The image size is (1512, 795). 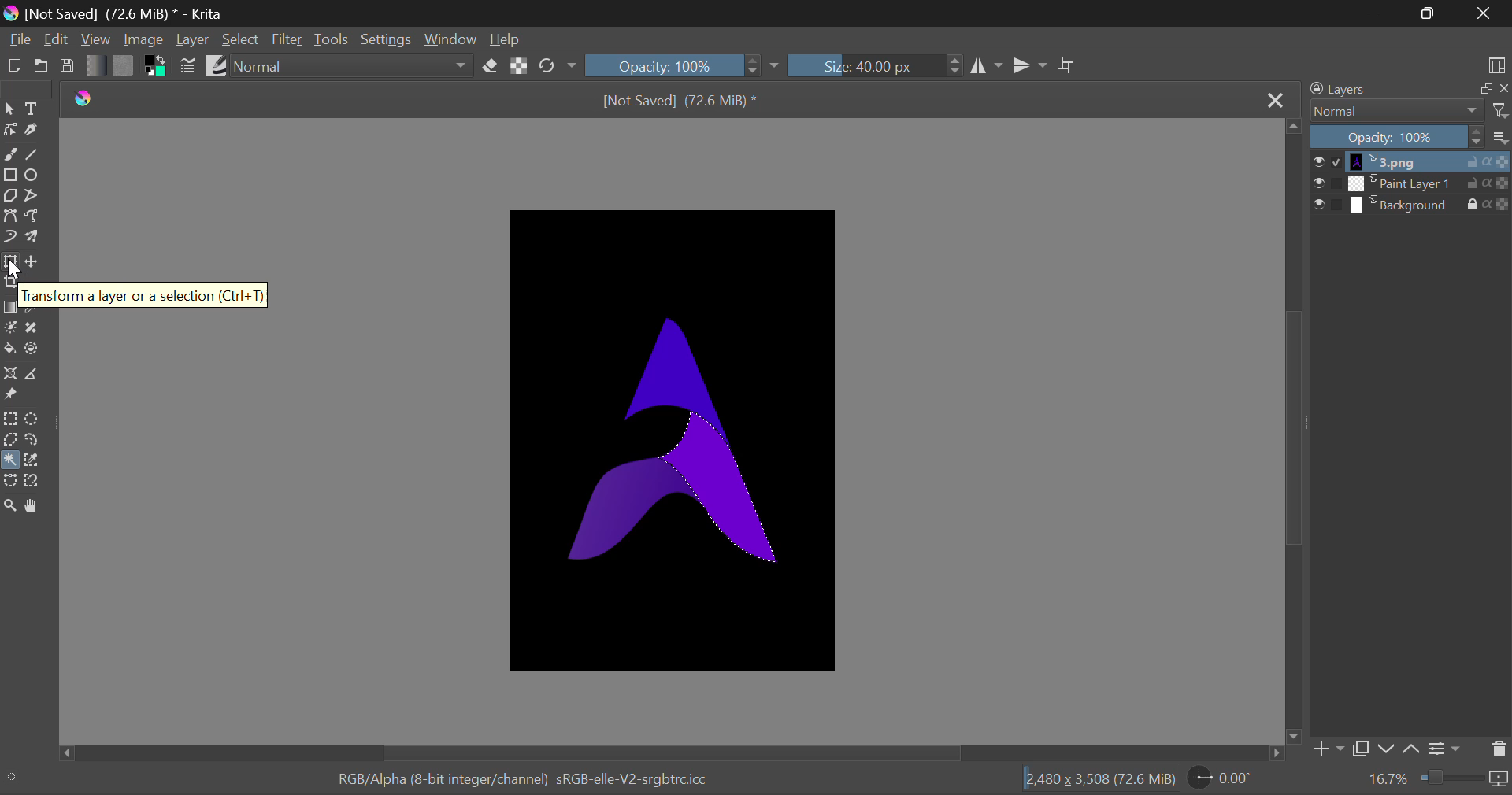 I want to click on cursor, so click(x=21, y=270).